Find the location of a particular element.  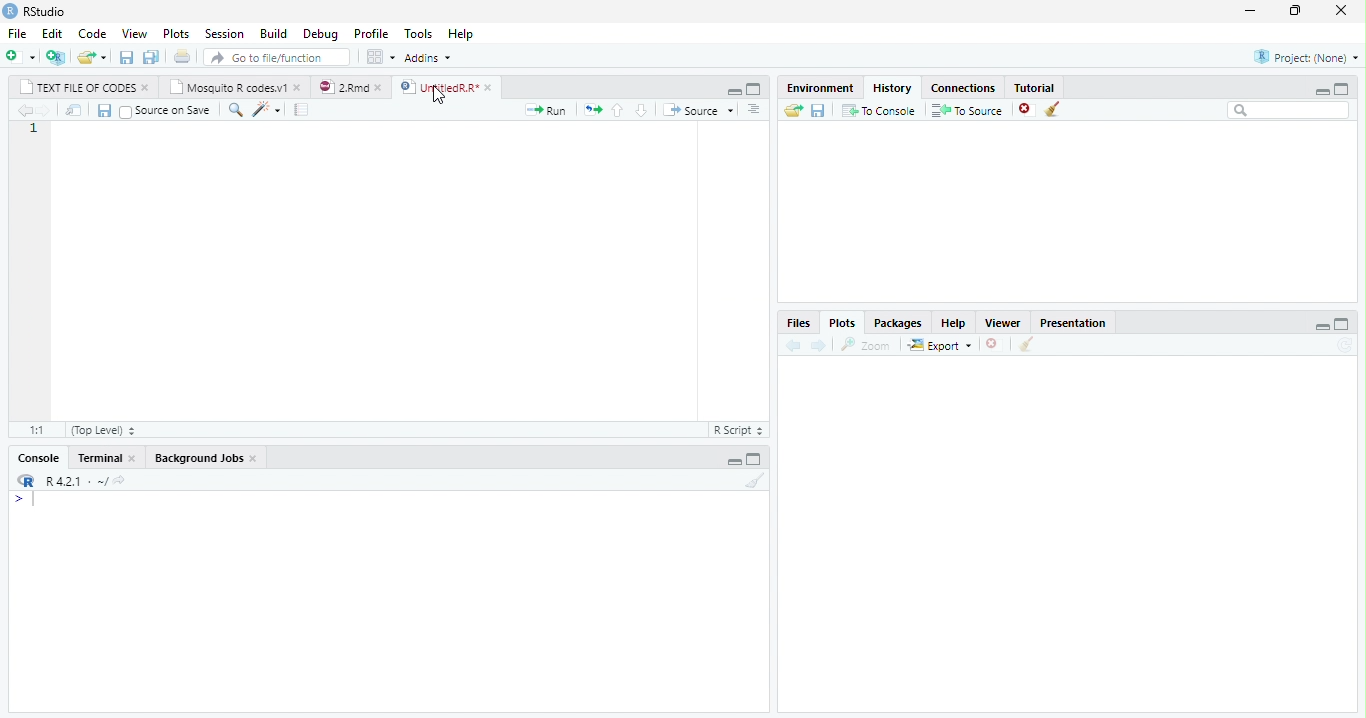

mosquito R codes.v1 is located at coordinates (230, 87).